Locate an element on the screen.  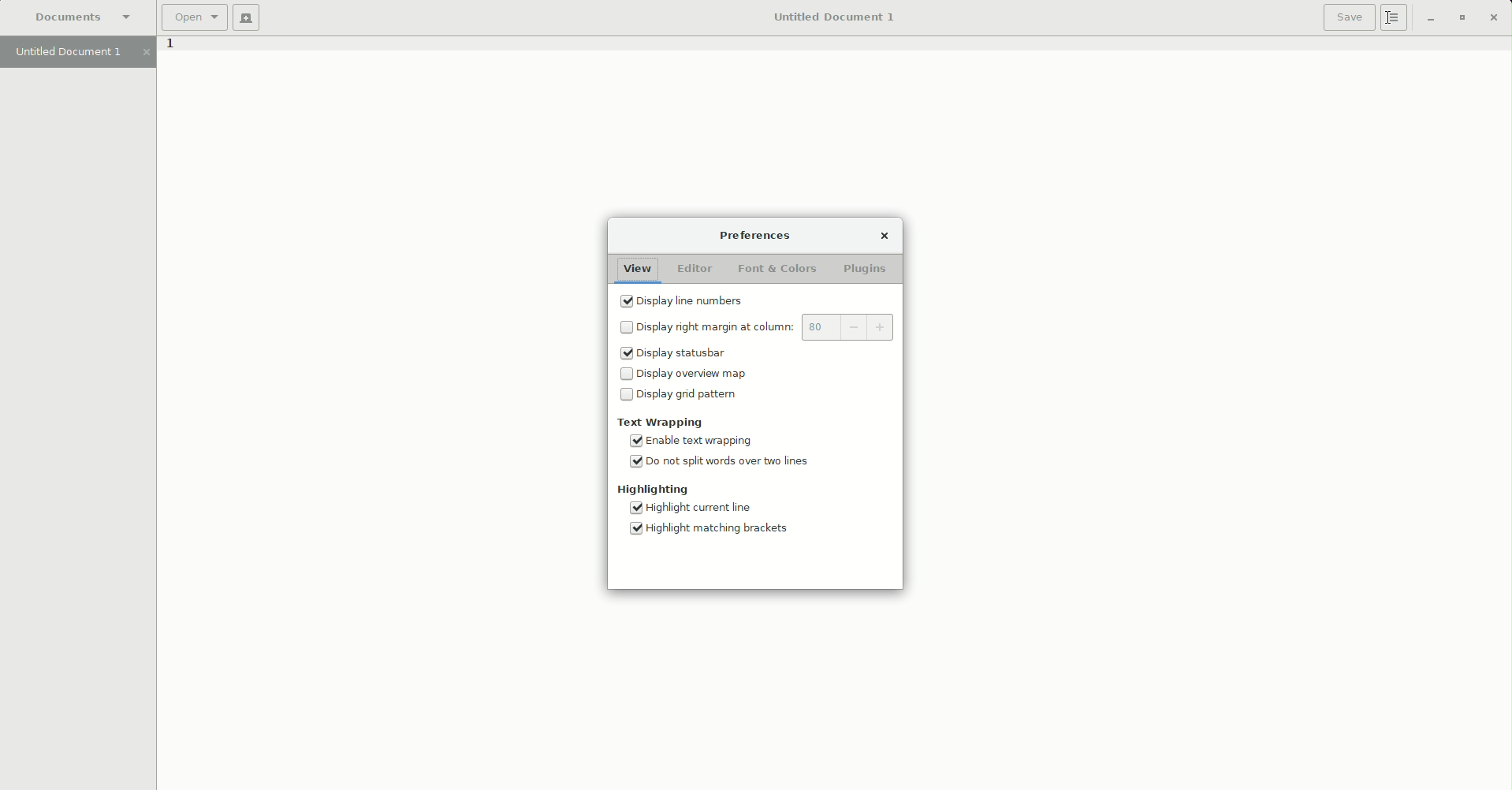
Display Line numbers is located at coordinates (685, 301).